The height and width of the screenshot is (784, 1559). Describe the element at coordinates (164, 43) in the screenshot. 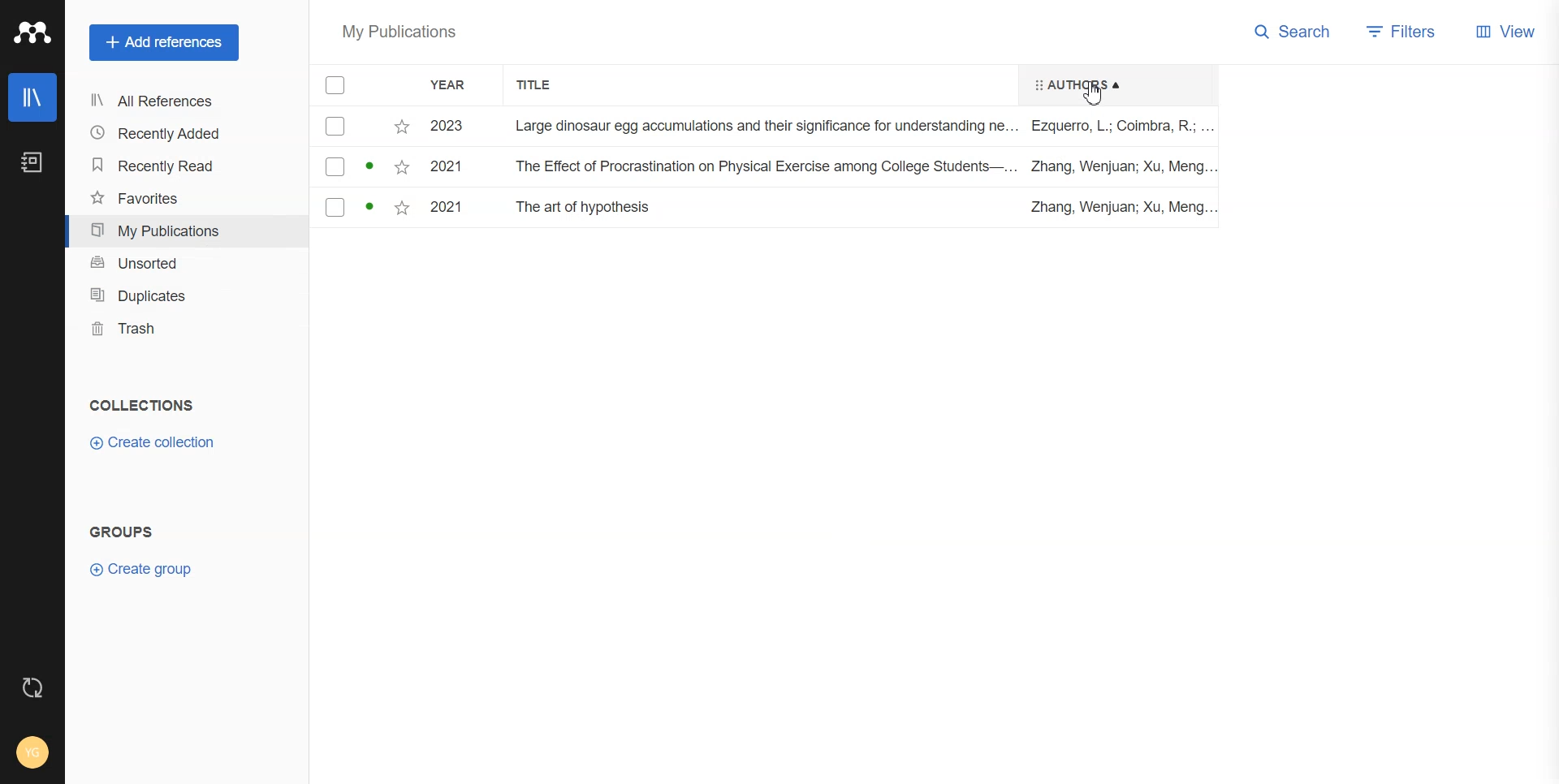

I see `Add references` at that location.